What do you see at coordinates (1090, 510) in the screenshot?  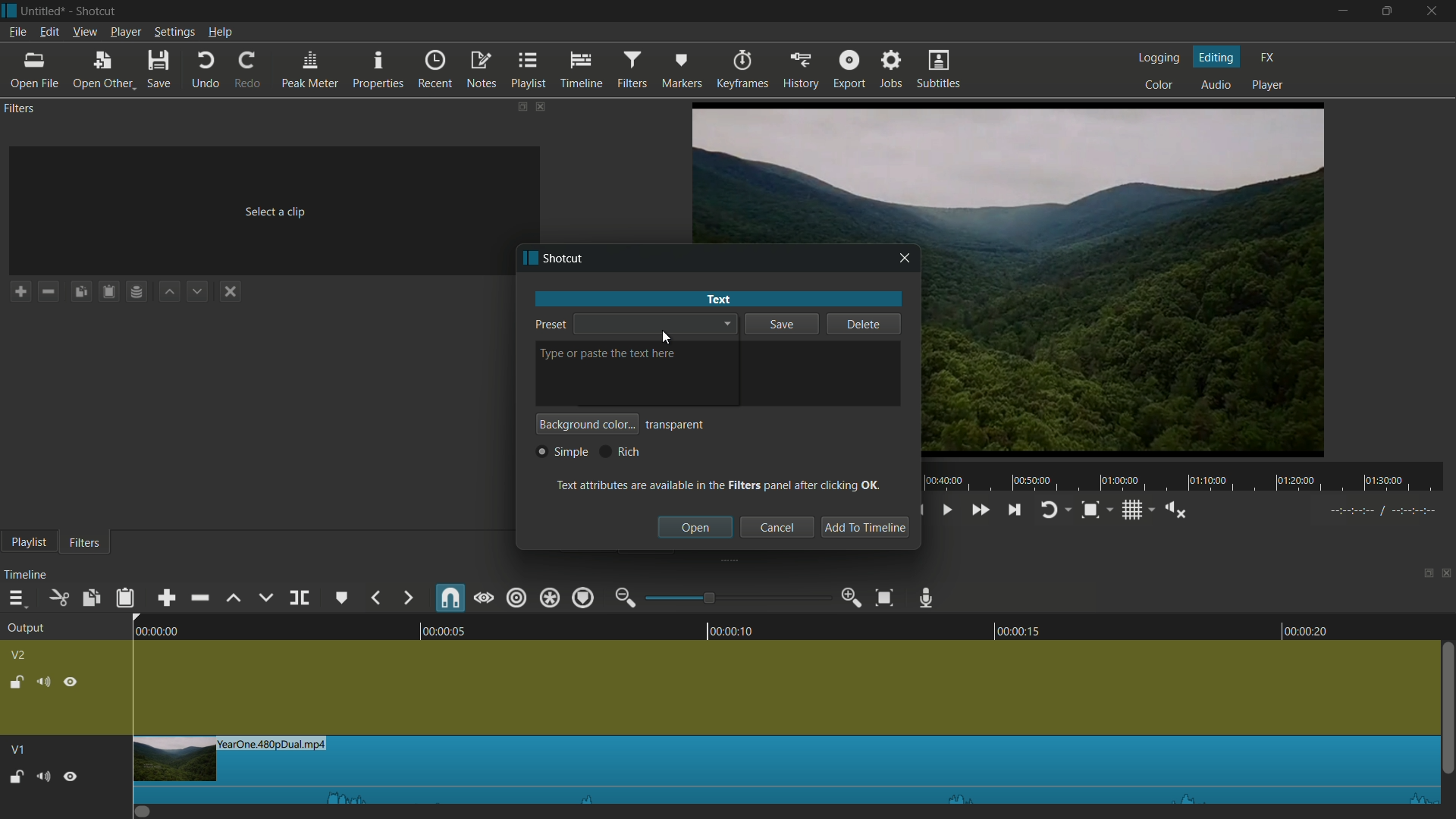 I see `toggle snap` at bounding box center [1090, 510].